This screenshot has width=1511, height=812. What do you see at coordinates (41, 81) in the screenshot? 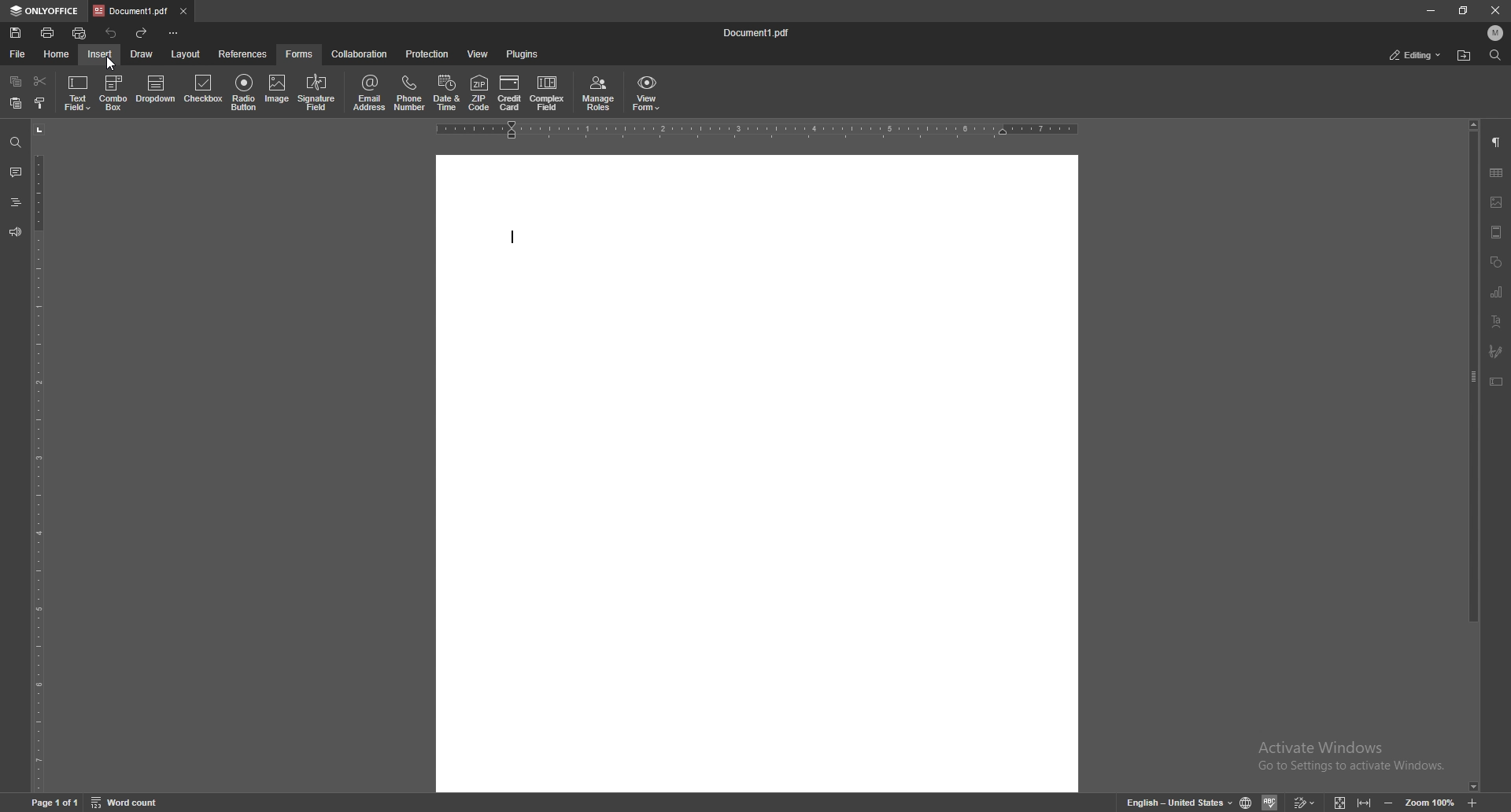
I see `cut` at bounding box center [41, 81].